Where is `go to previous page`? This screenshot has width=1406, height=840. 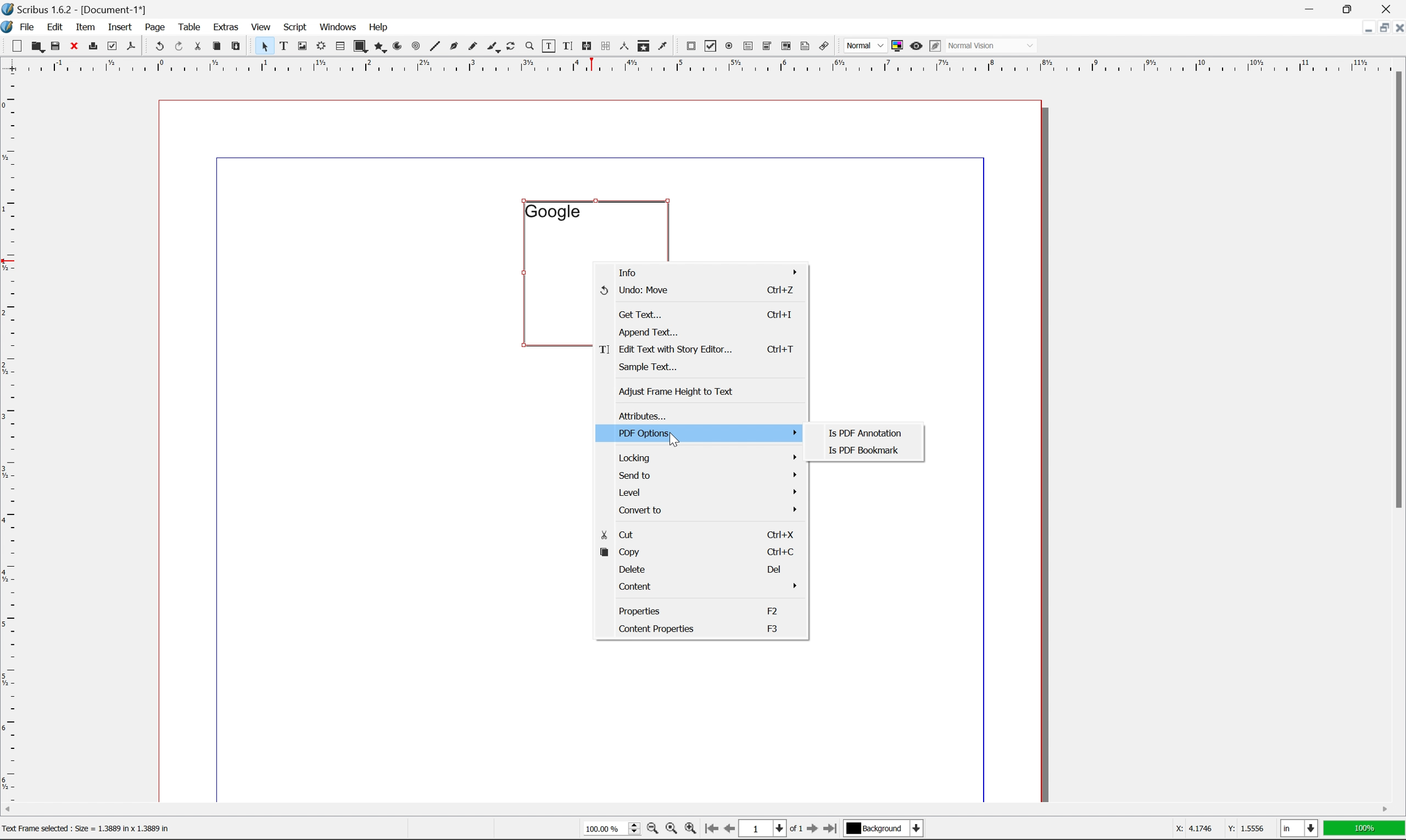 go to previous page is located at coordinates (730, 830).